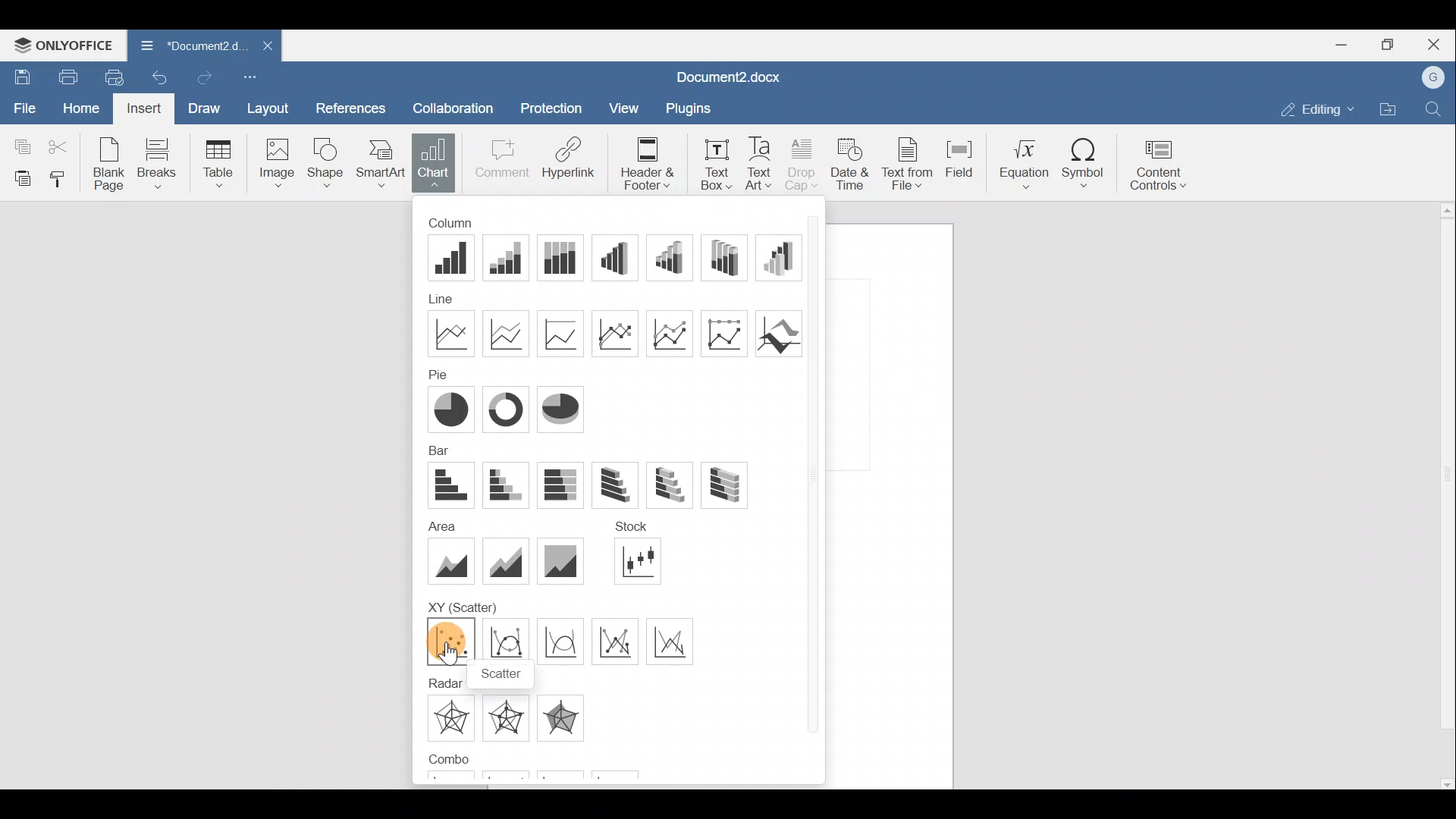 This screenshot has height=819, width=1456. I want to click on Radar, so click(443, 682).